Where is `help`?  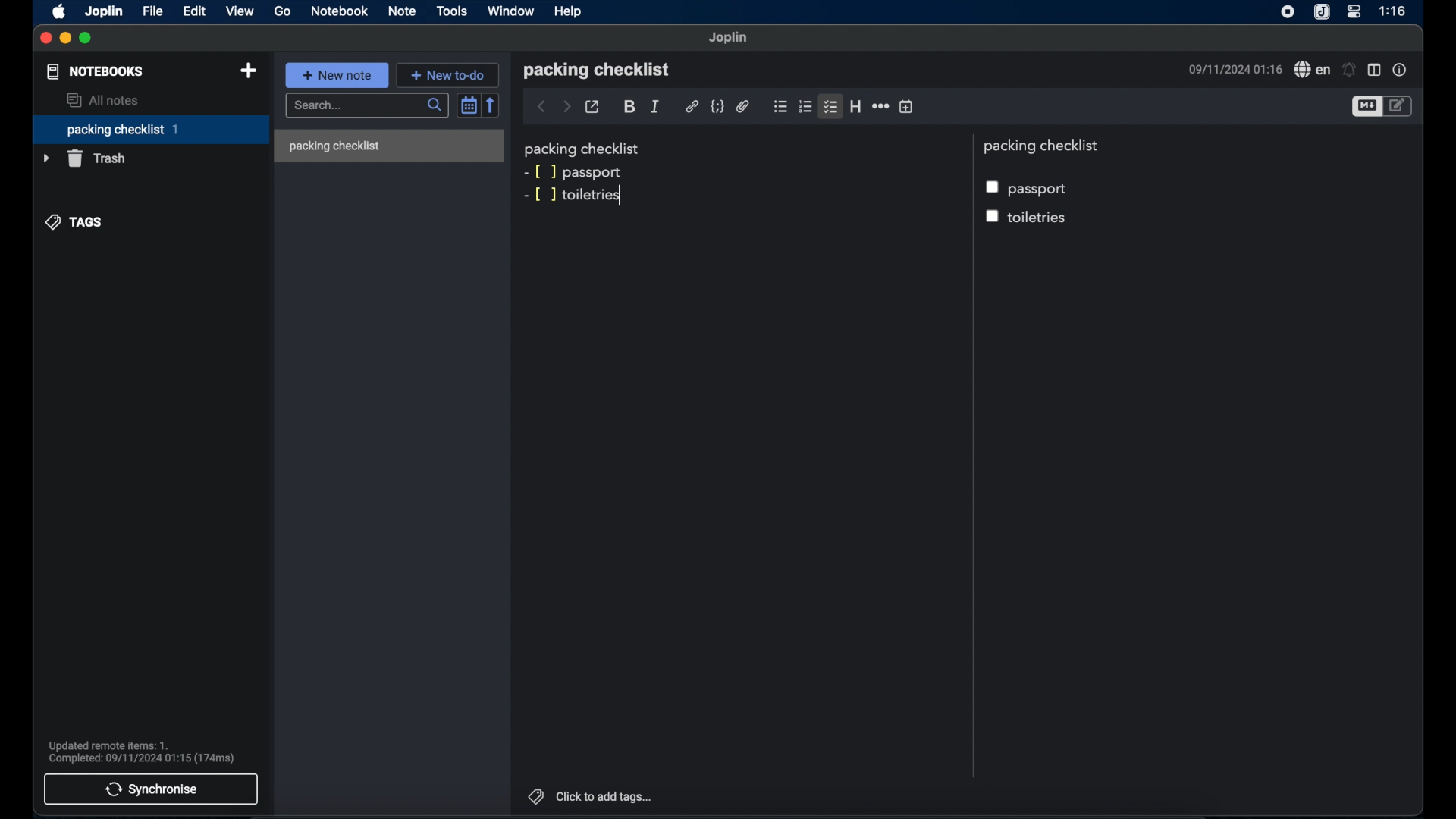
help is located at coordinates (569, 11).